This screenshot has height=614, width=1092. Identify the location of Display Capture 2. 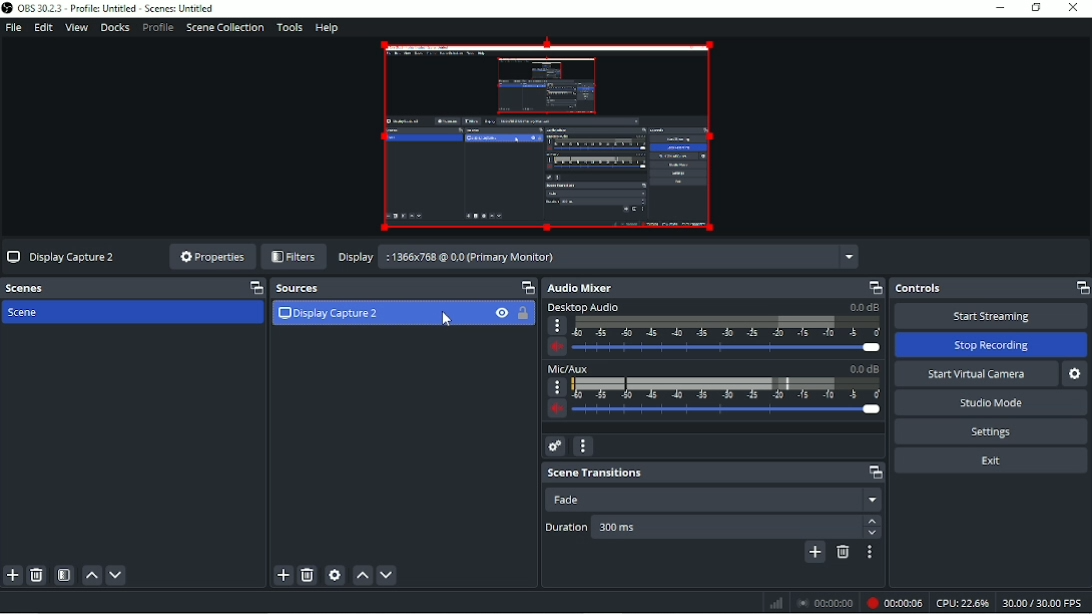
(64, 258).